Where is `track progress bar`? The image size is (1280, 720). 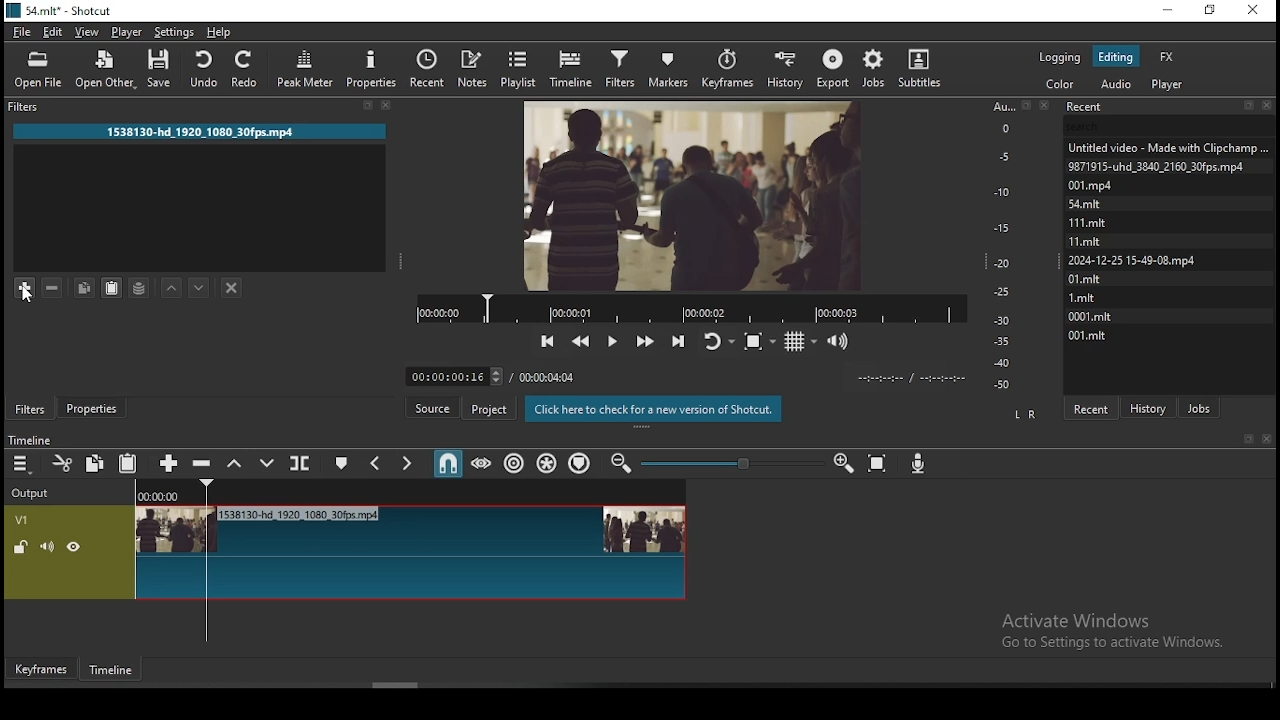 track progress bar is located at coordinates (693, 306).